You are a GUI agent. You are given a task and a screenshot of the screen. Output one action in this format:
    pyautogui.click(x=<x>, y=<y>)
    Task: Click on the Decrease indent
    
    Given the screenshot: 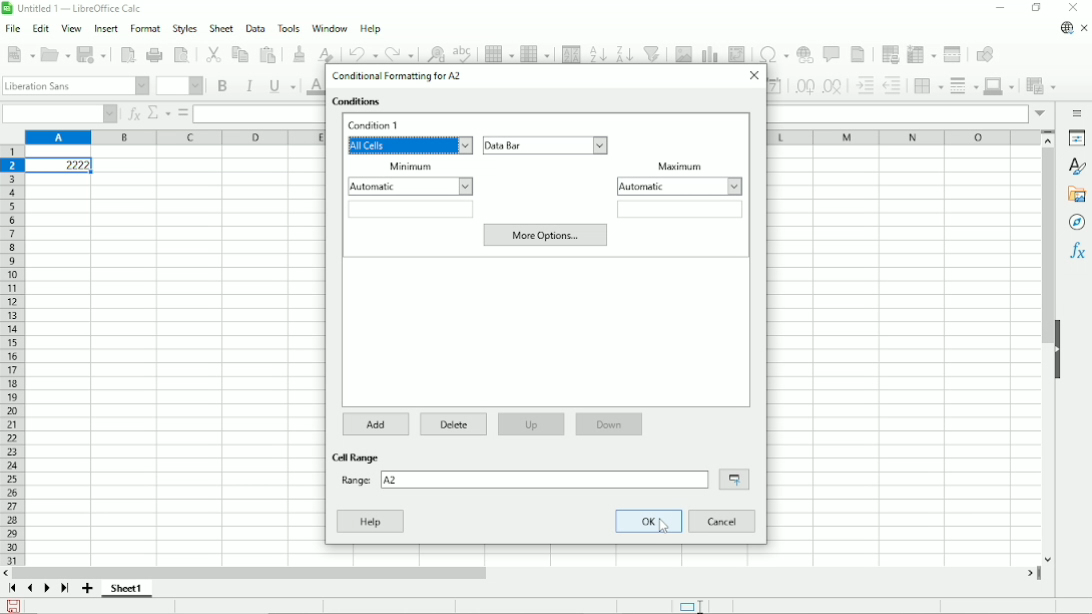 What is the action you would take?
    pyautogui.click(x=892, y=86)
    